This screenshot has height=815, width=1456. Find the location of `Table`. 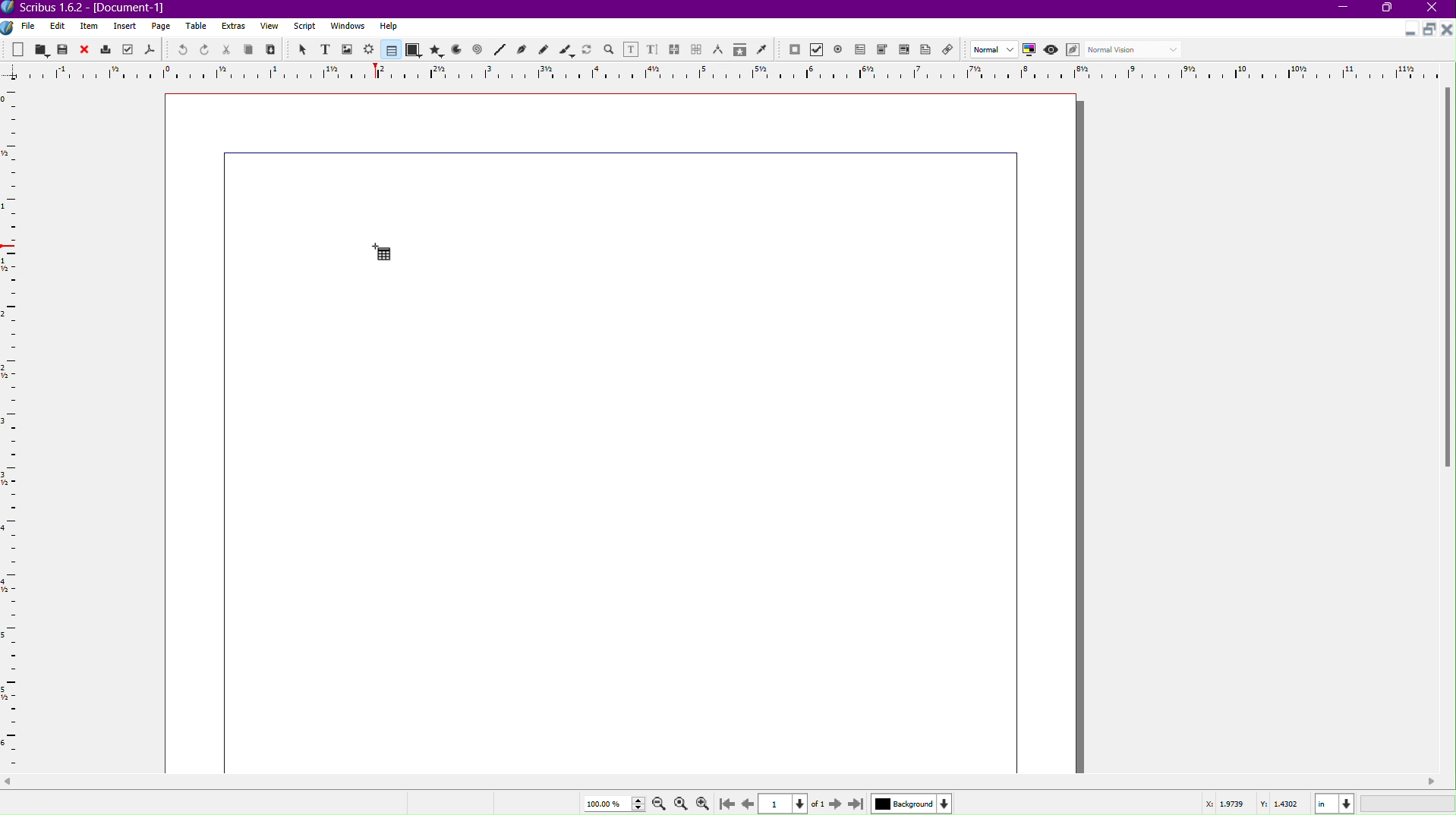

Table is located at coordinates (198, 27).